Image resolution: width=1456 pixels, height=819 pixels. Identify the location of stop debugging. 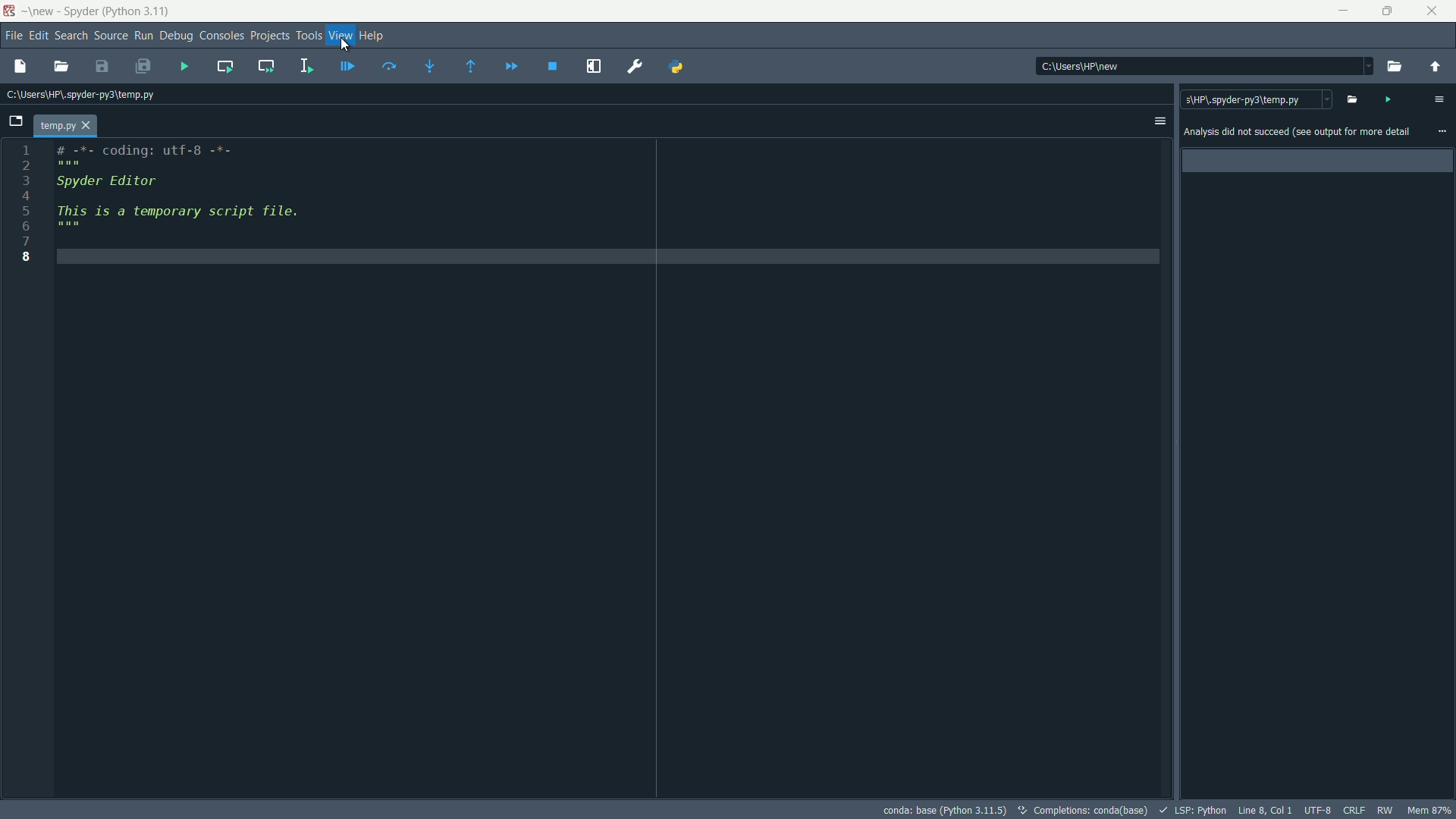
(553, 66).